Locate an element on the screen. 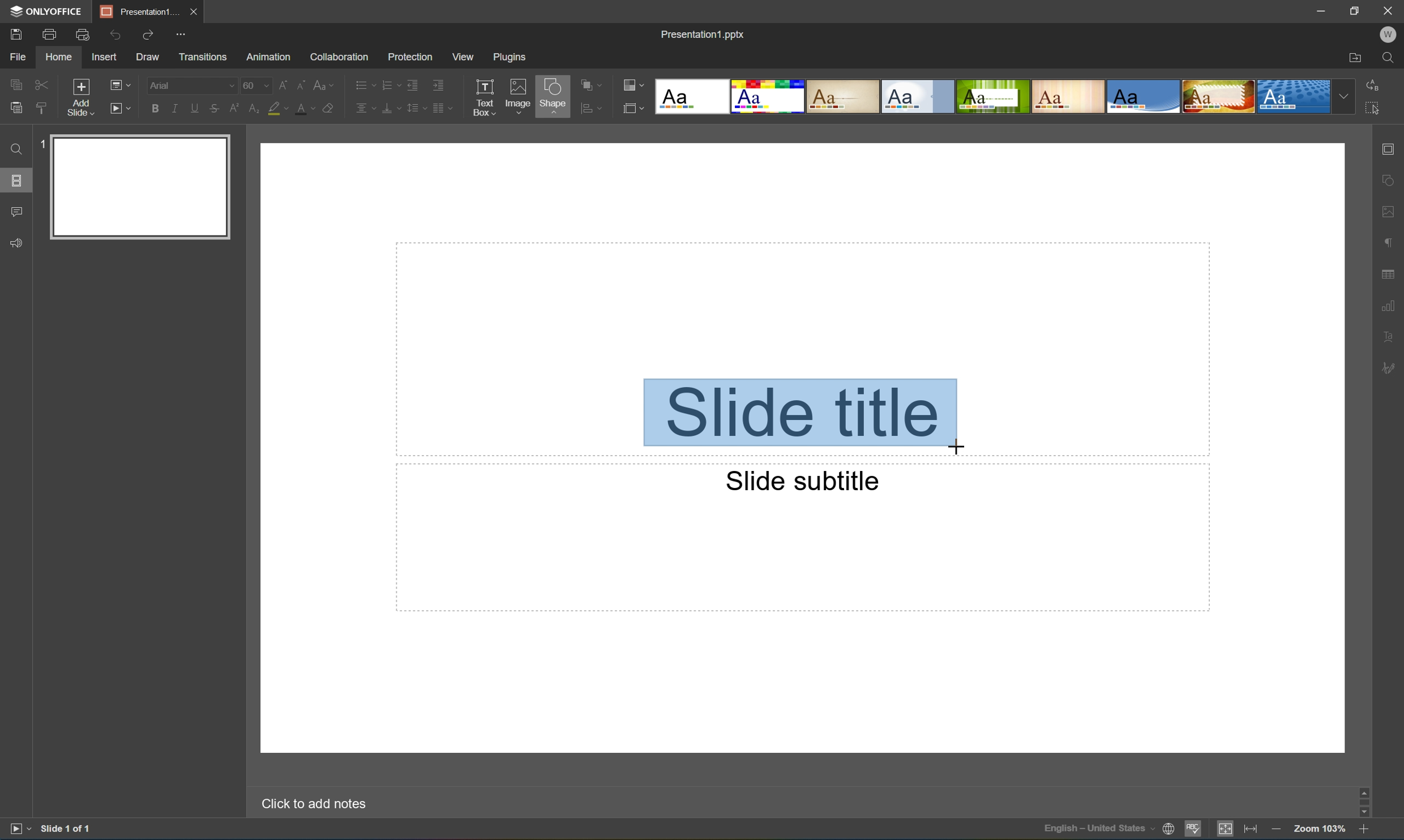  Scroll Bar is located at coordinates (1360, 803).